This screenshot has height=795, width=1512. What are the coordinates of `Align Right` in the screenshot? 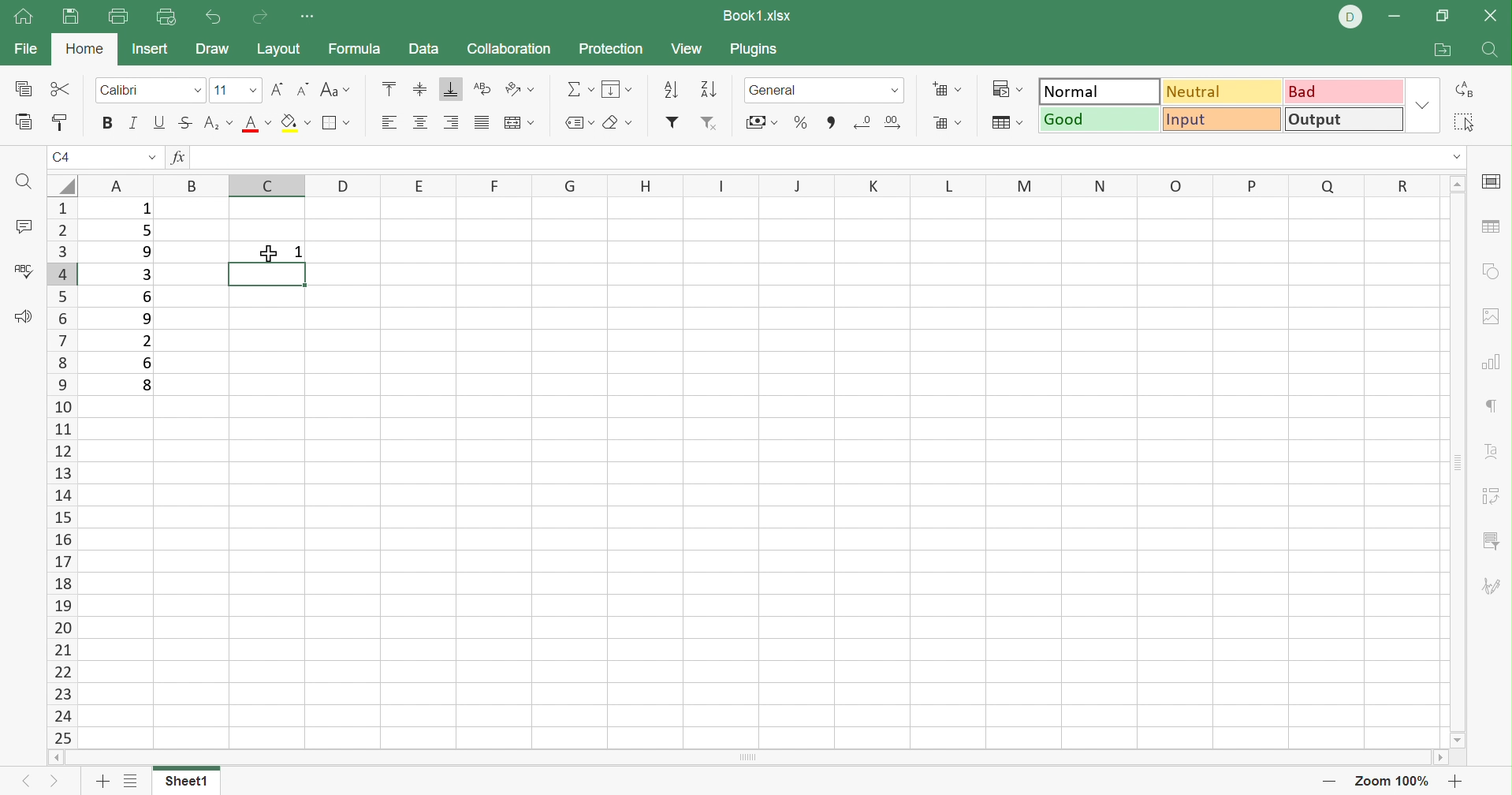 It's located at (452, 121).